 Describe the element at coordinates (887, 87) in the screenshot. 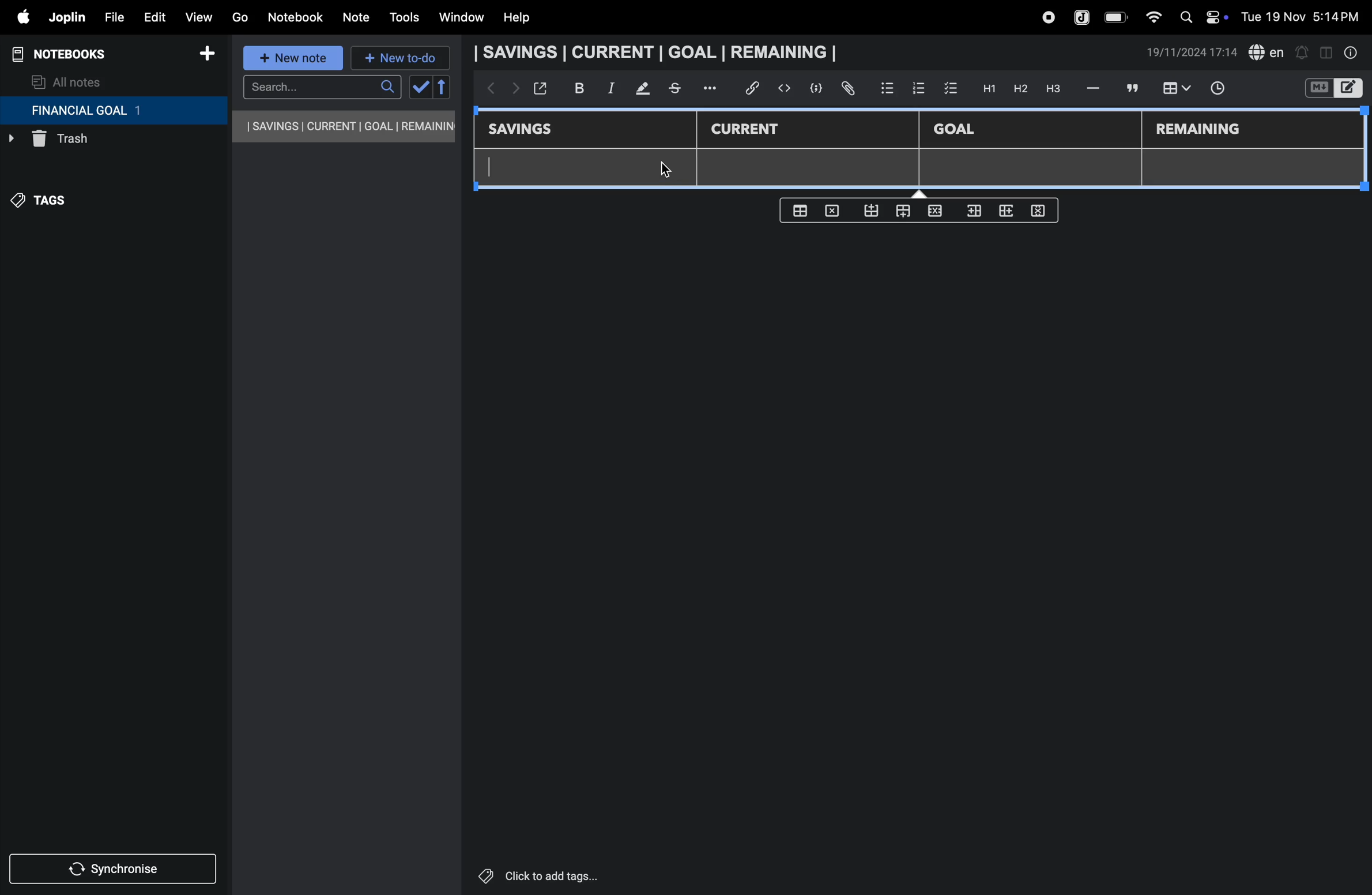

I see `bullet list` at that location.